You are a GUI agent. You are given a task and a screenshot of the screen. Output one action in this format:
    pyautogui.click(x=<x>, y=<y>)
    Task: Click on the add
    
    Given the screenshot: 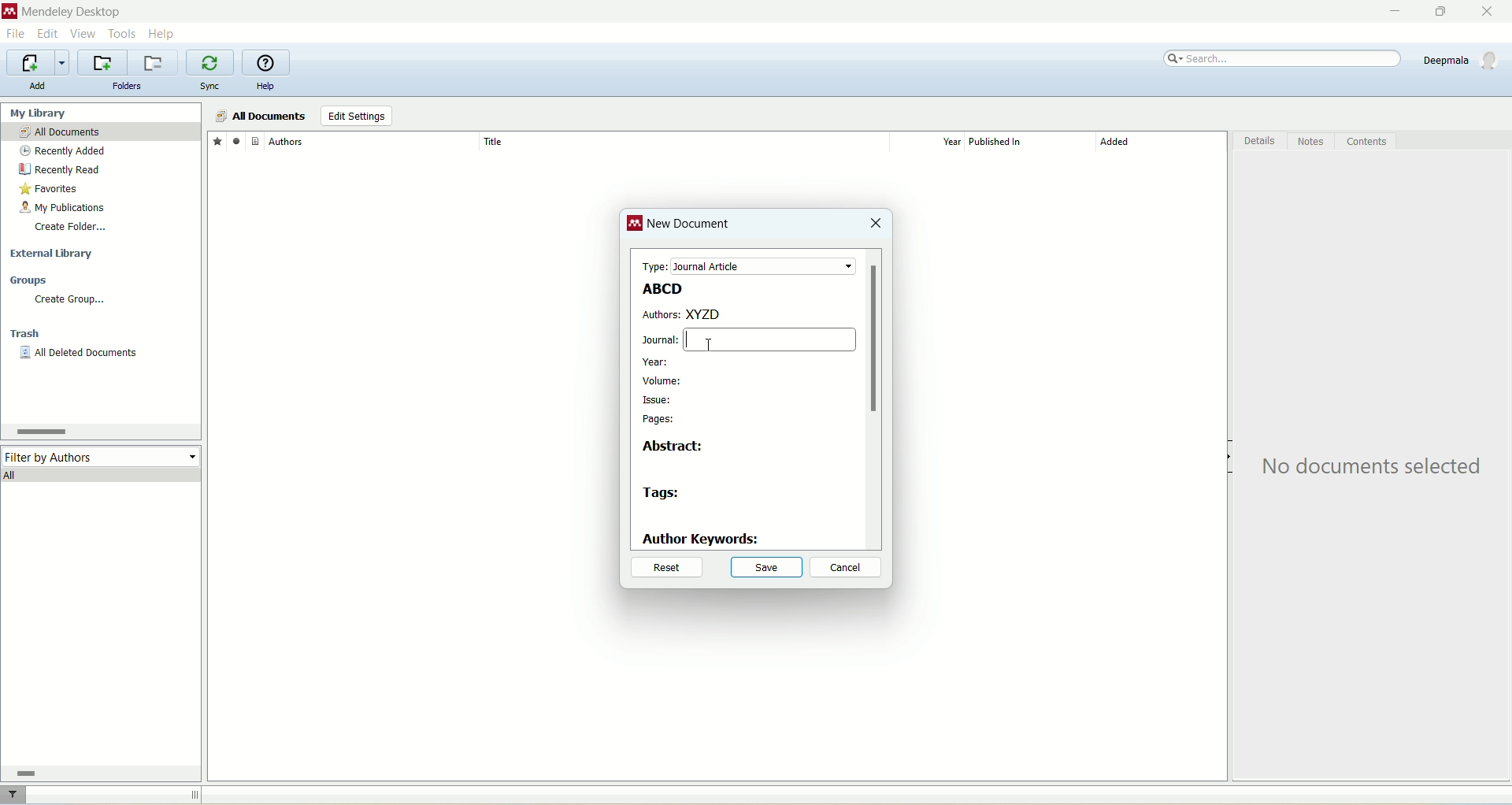 What is the action you would take?
    pyautogui.click(x=37, y=86)
    